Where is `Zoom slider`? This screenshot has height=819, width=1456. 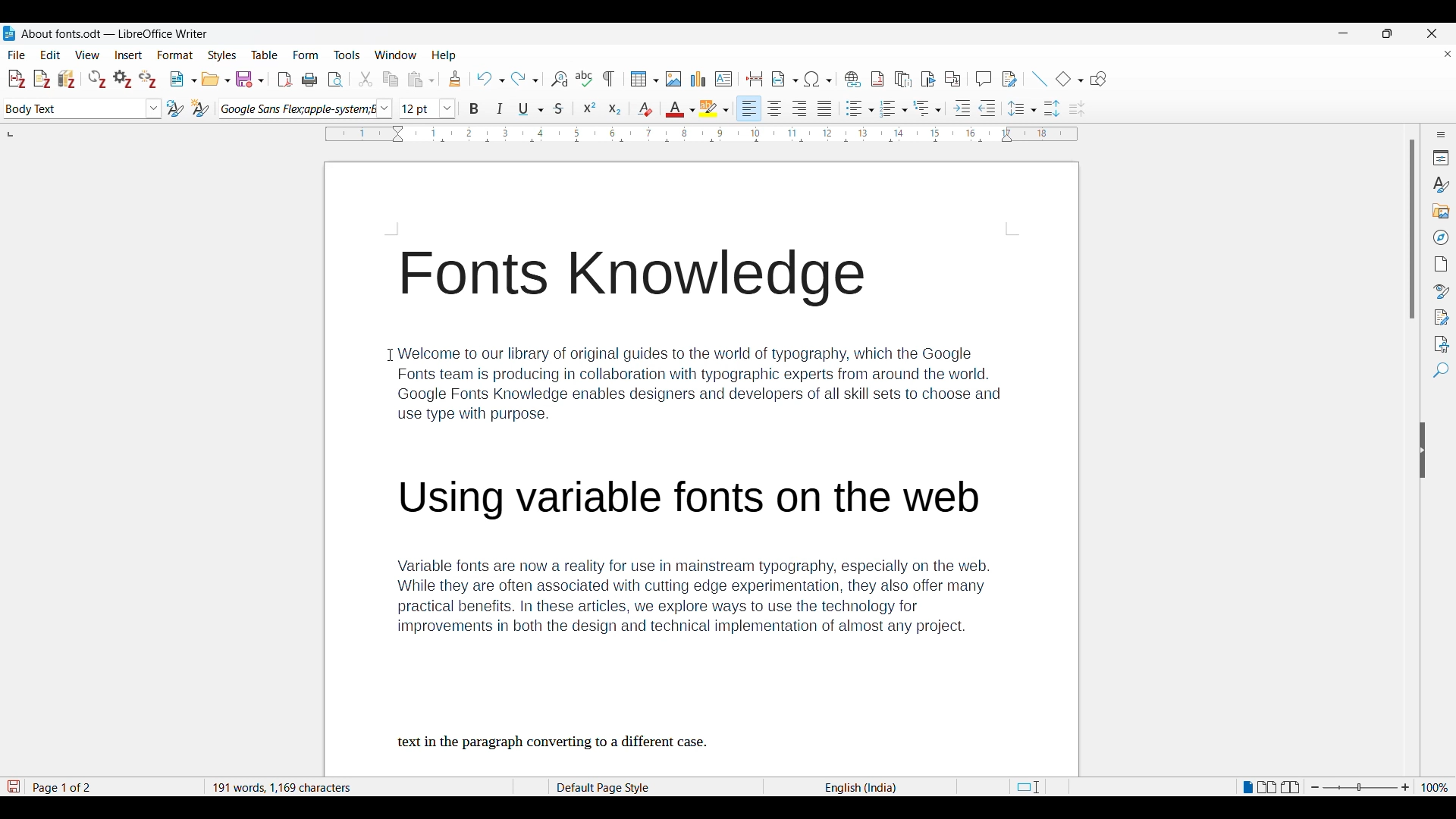
Zoom slider is located at coordinates (1360, 787).